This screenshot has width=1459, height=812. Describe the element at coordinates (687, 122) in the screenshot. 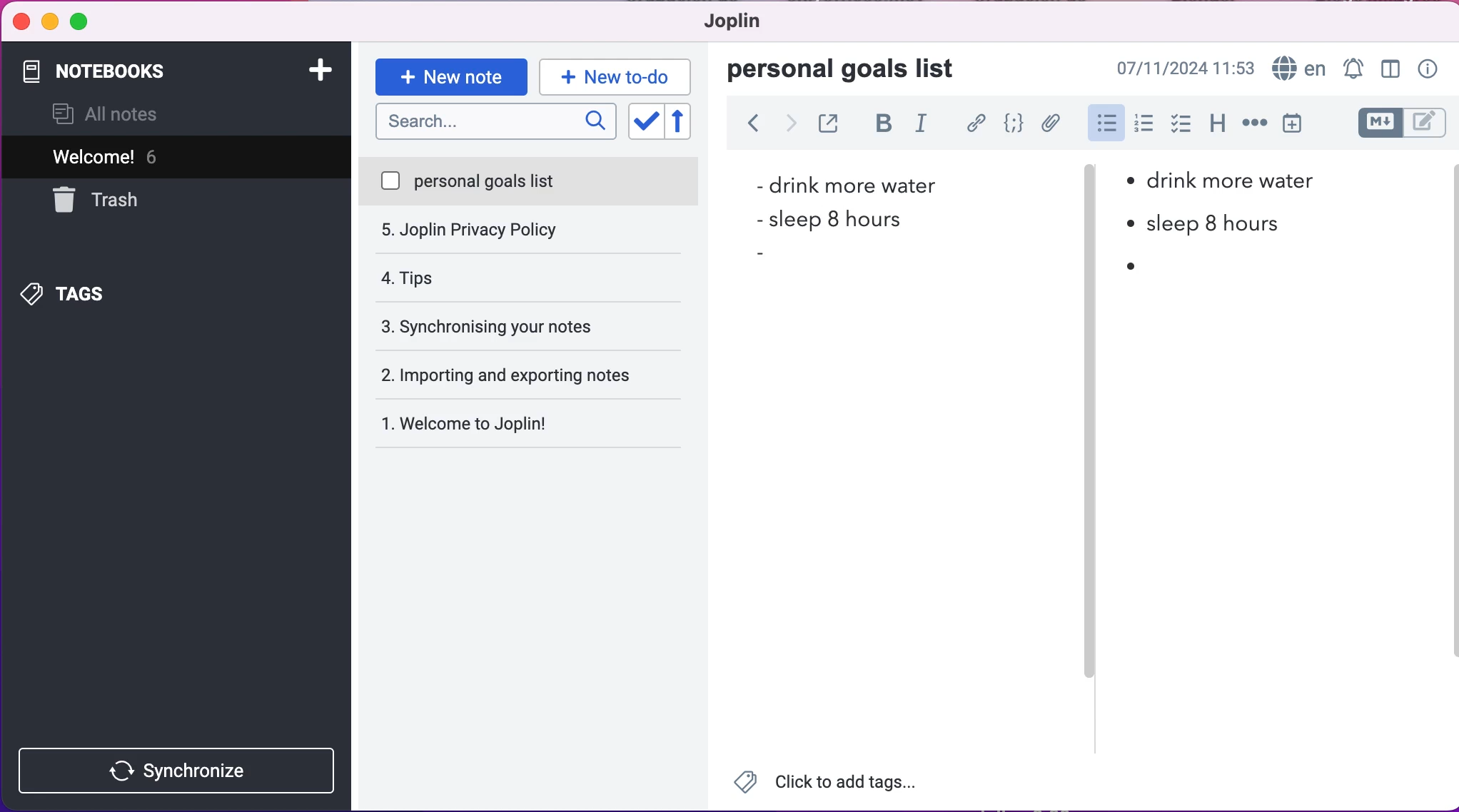

I see `reverse sort order` at that location.